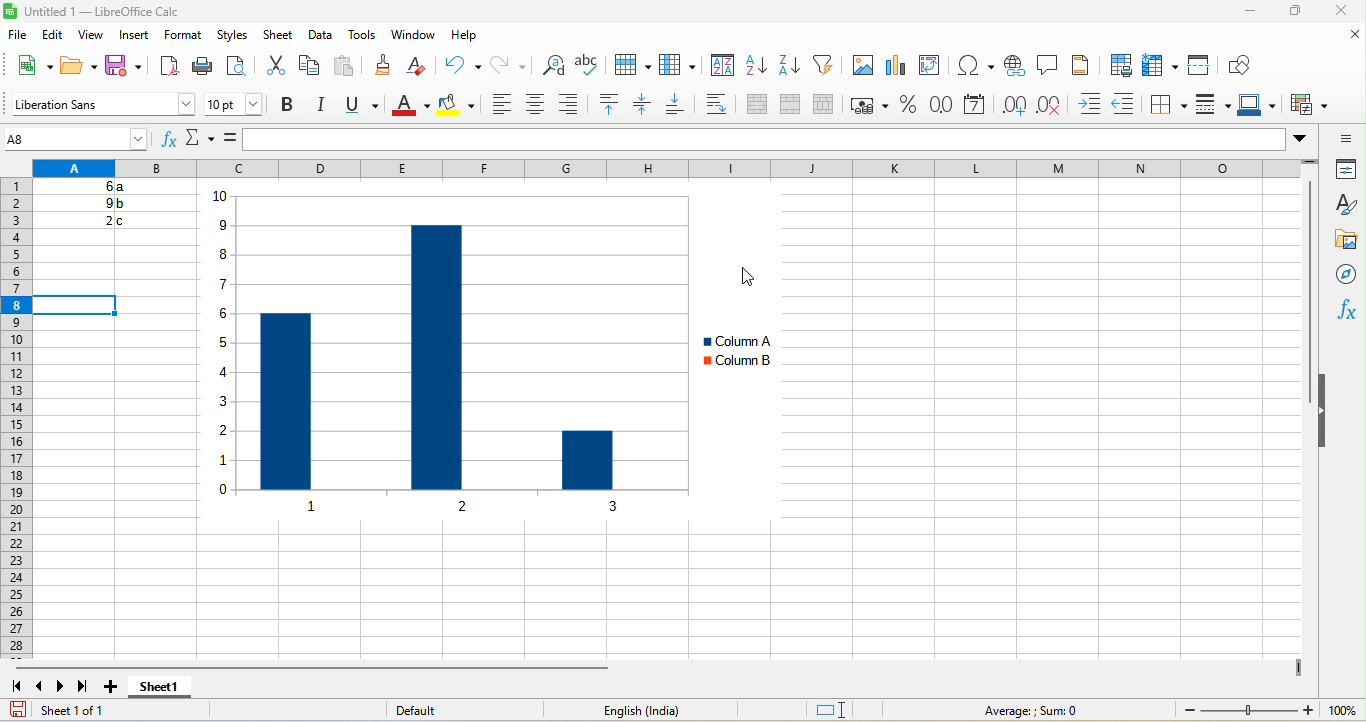 This screenshot has width=1366, height=722. Describe the element at coordinates (1310, 106) in the screenshot. I see `conditional` at that location.